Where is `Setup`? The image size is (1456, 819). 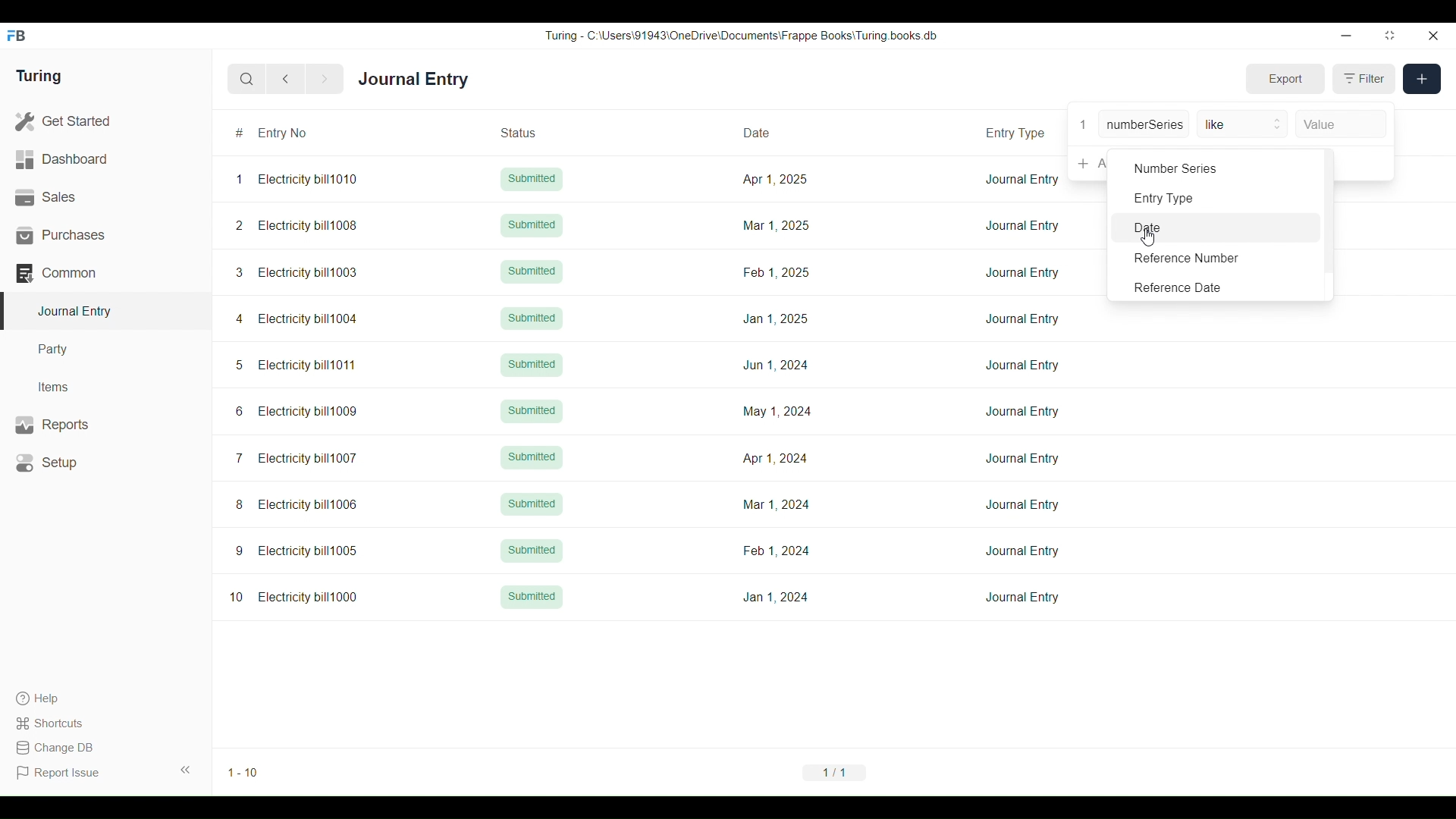
Setup is located at coordinates (106, 463).